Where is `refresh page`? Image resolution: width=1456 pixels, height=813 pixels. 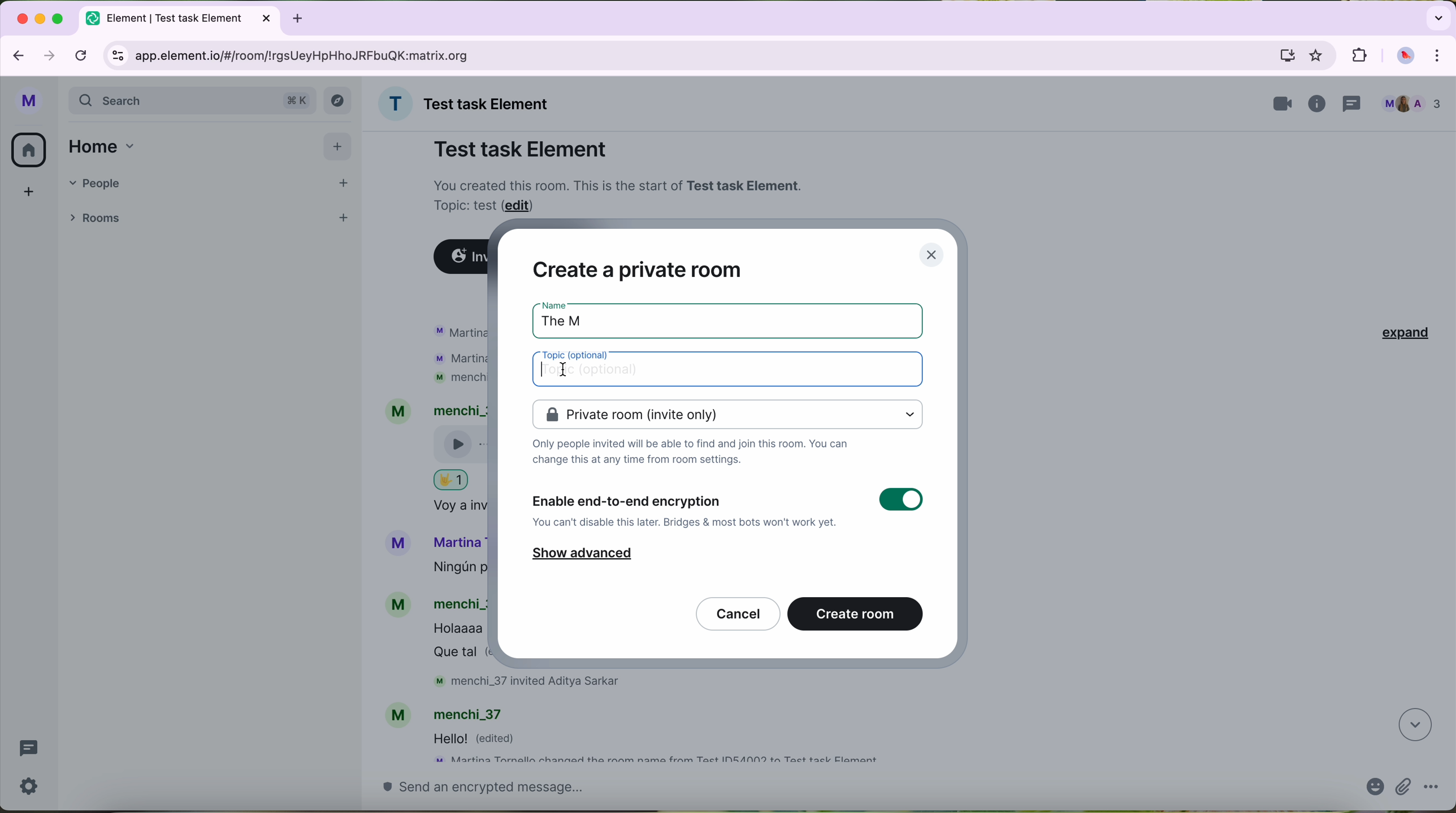 refresh page is located at coordinates (82, 54).